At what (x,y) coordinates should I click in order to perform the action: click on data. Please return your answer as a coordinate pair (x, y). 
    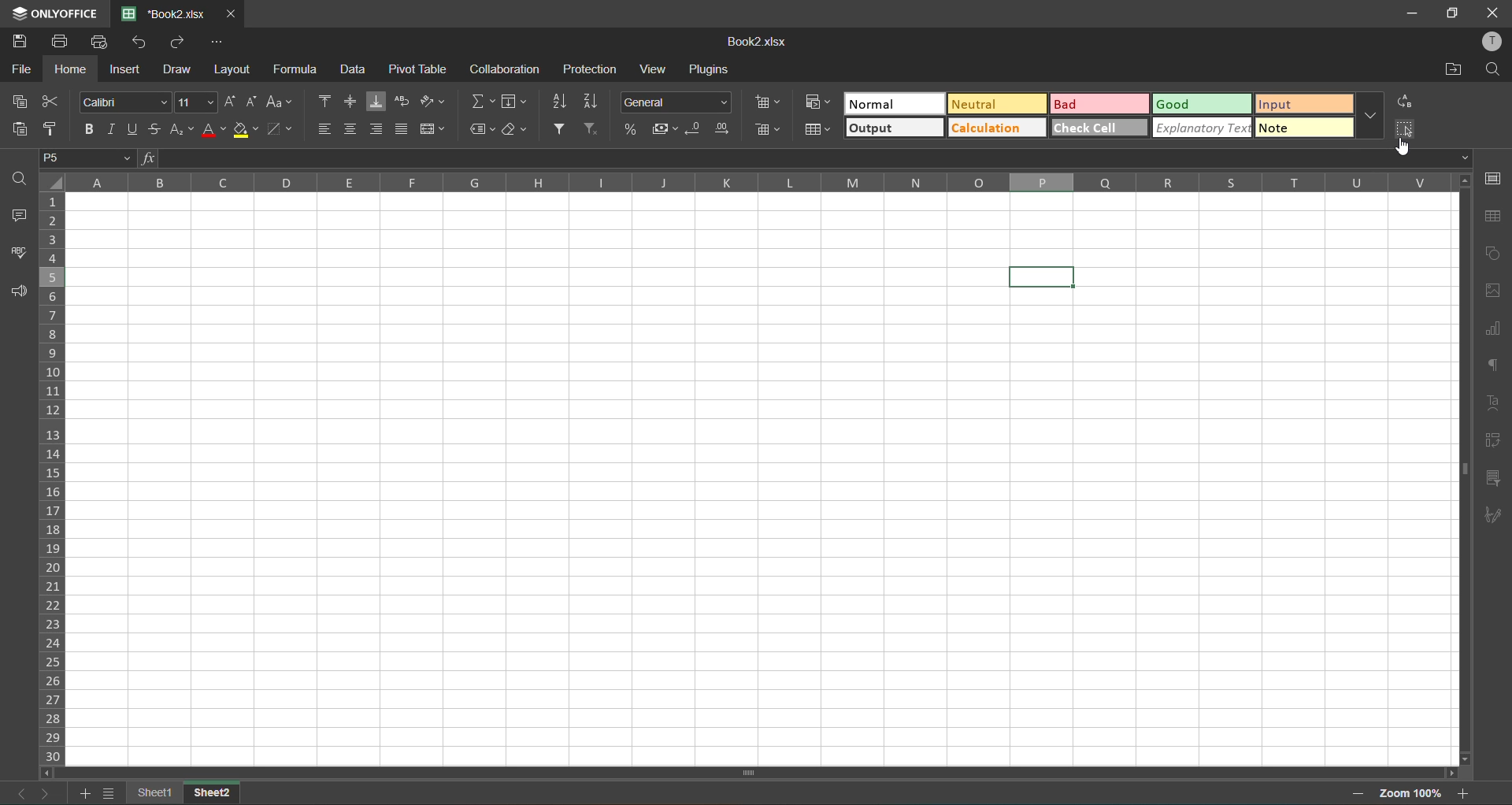
    Looking at the image, I should click on (355, 72).